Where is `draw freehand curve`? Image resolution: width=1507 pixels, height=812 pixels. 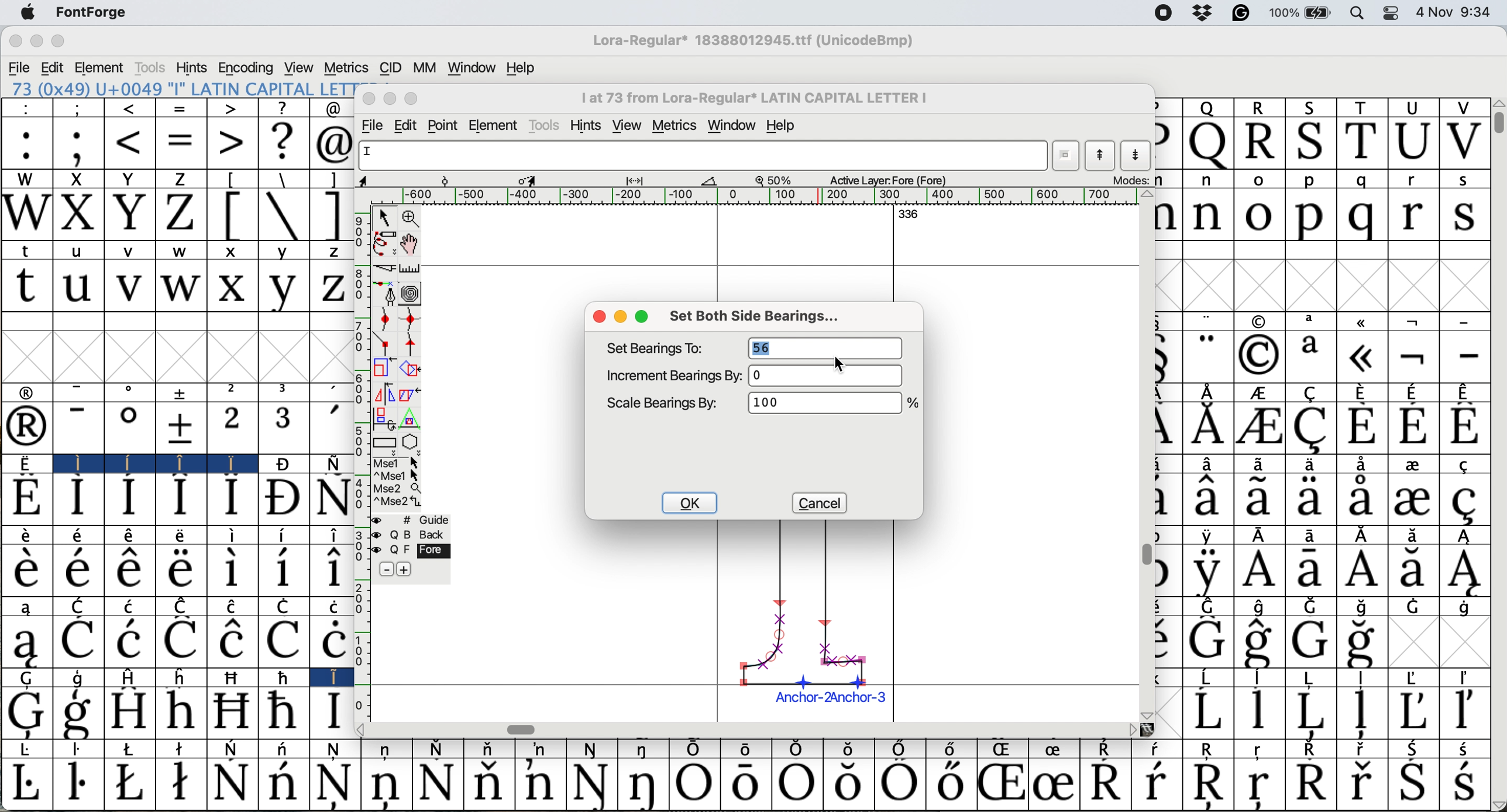 draw freehand curve is located at coordinates (383, 242).